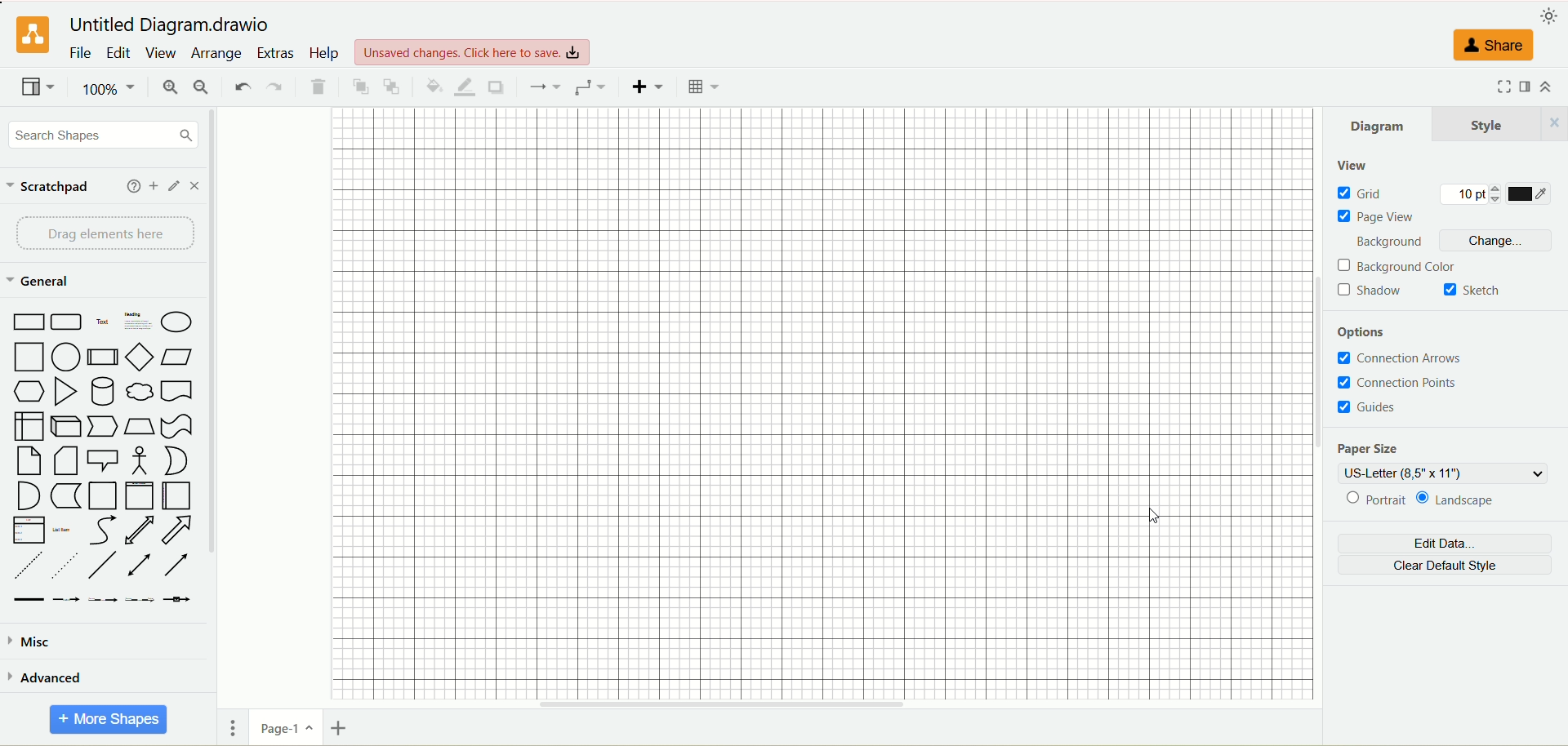  I want to click on help, so click(133, 186).